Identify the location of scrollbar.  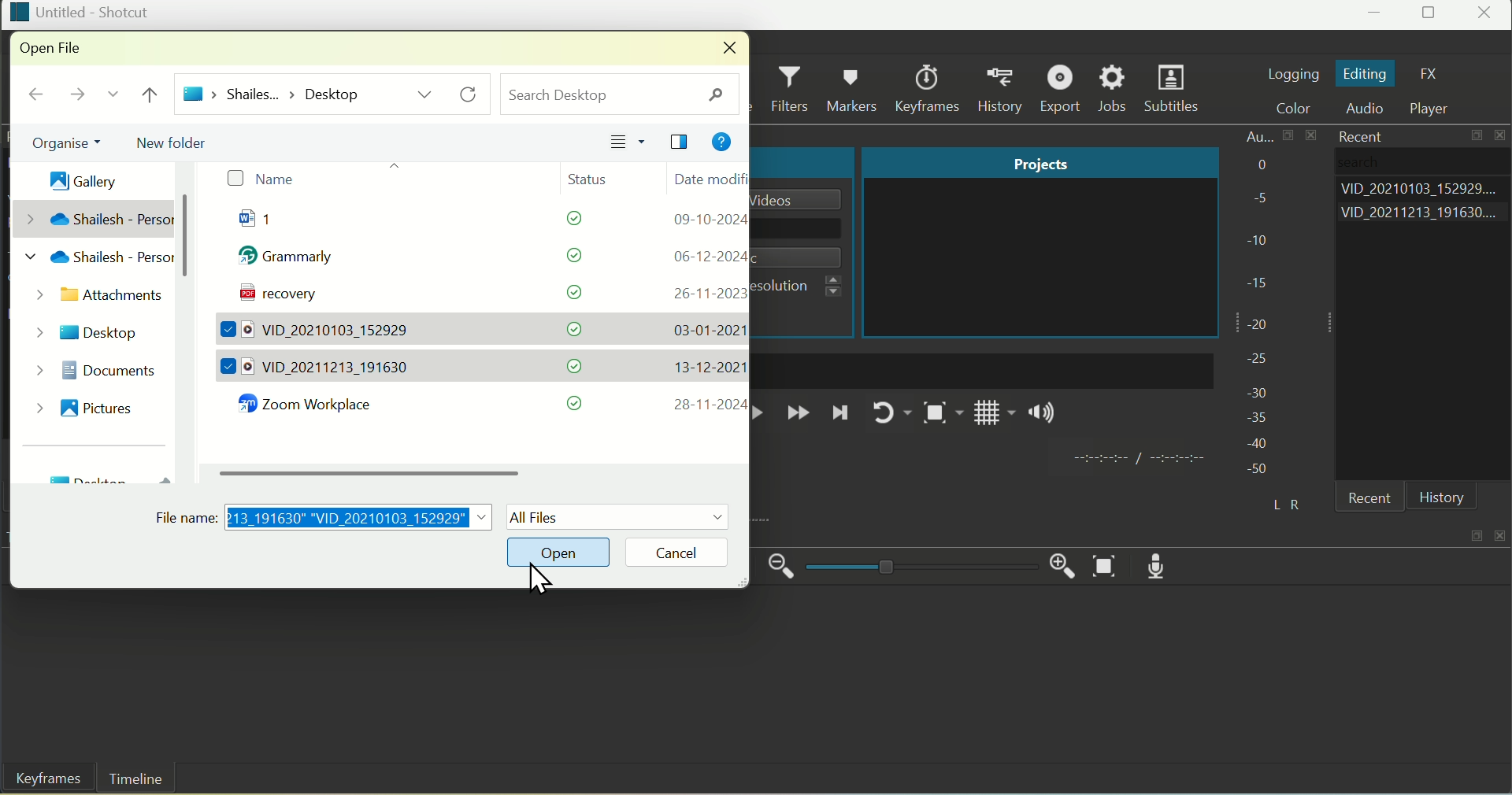
(376, 471).